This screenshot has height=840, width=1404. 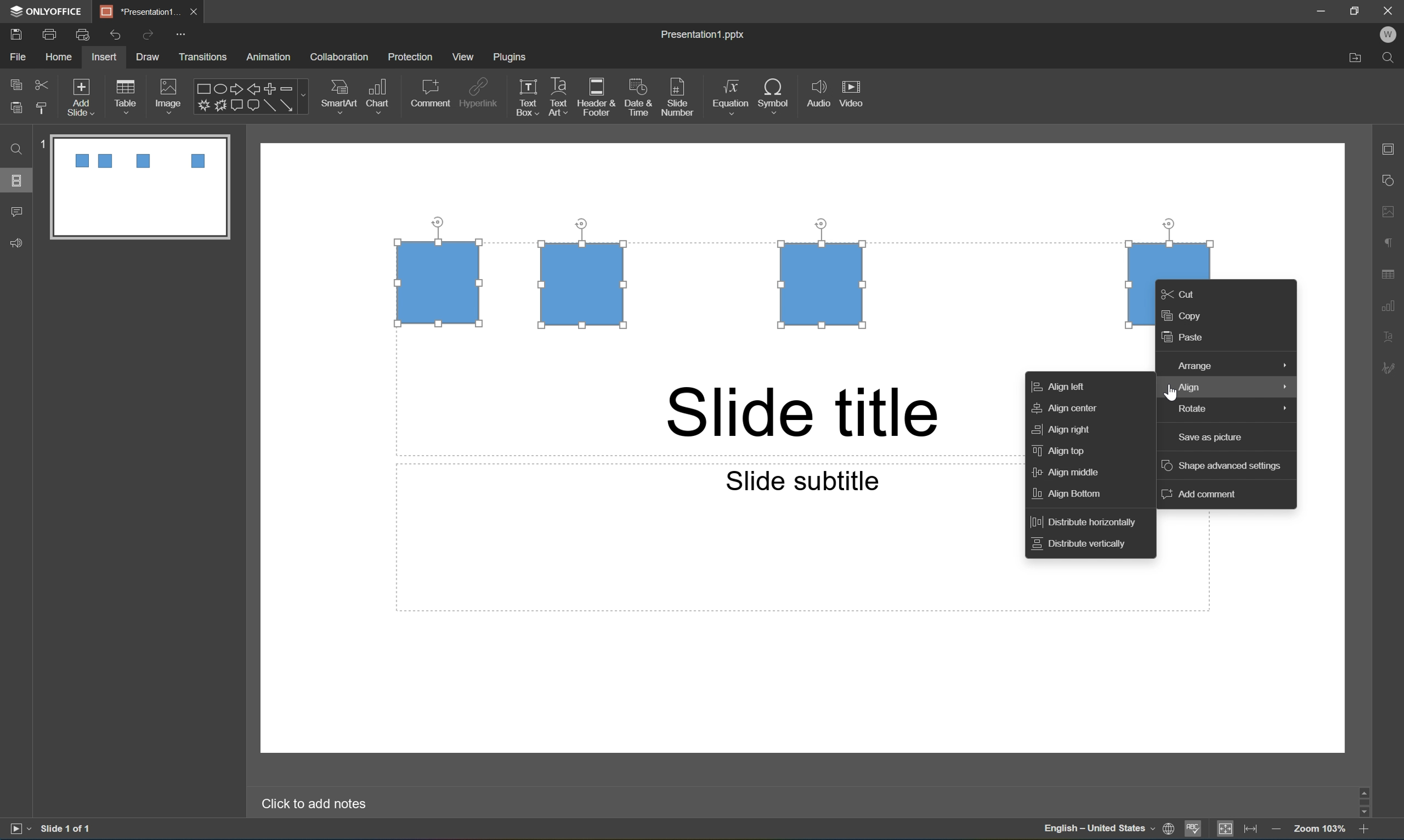 I want to click on fit to width, so click(x=1251, y=831).